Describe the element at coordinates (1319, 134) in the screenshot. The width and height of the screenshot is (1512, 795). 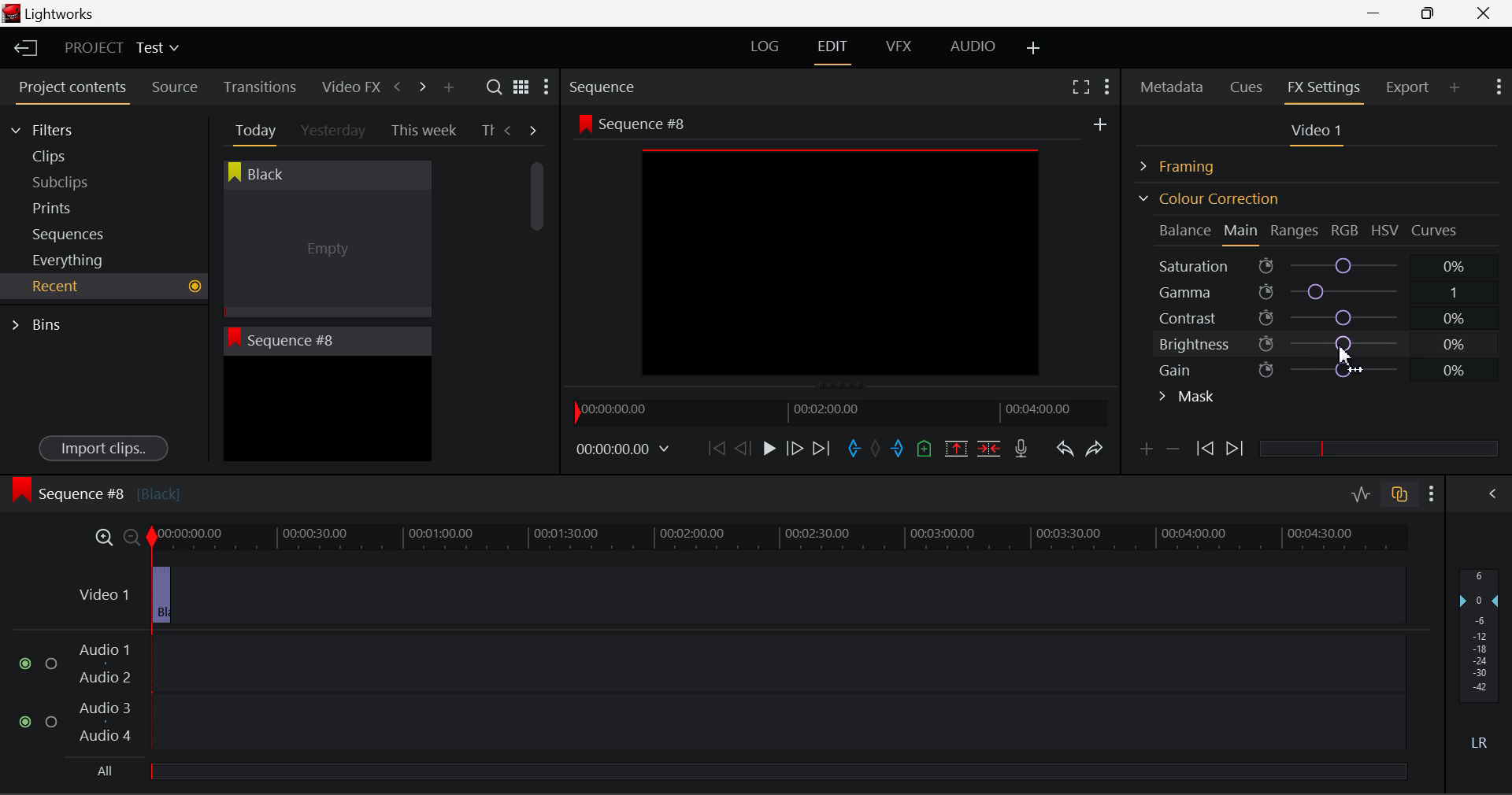
I see `Video 1 Settings` at that location.